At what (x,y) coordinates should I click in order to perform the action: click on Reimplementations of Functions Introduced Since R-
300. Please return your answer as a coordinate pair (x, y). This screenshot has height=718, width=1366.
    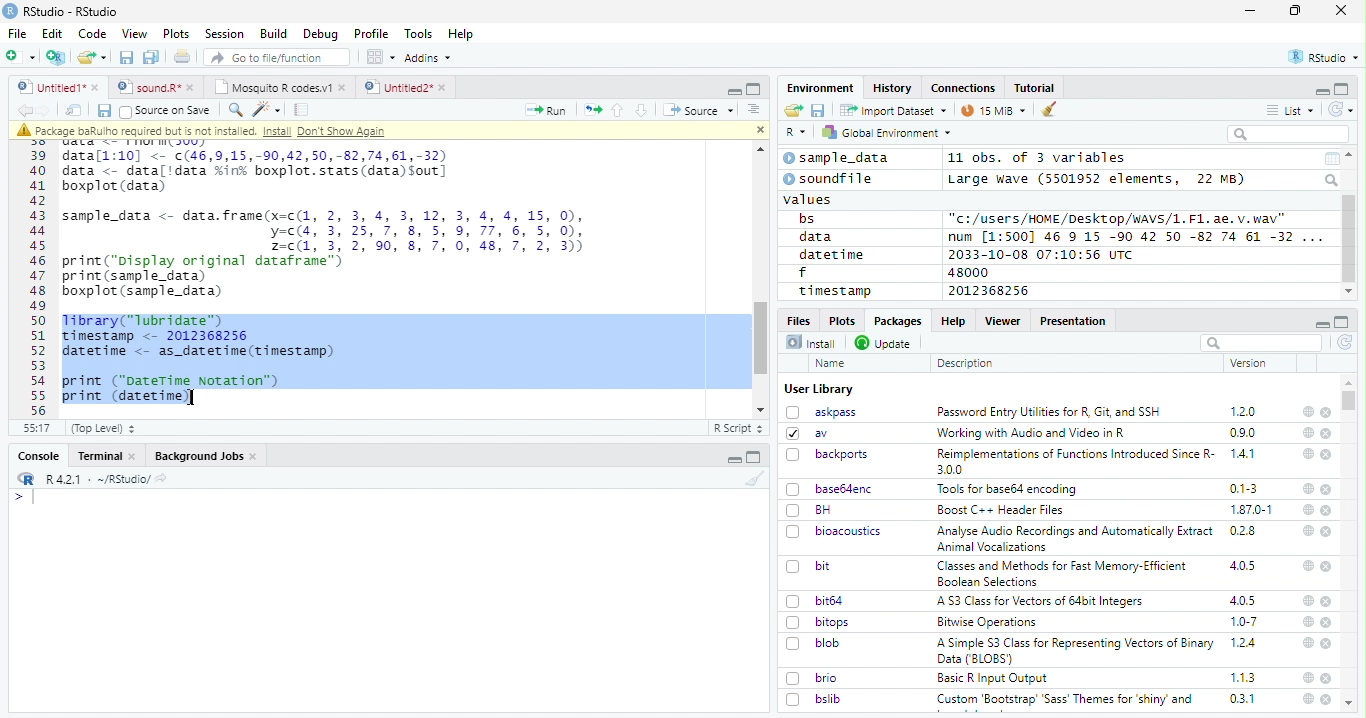
    Looking at the image, I should click on (1074, 461).